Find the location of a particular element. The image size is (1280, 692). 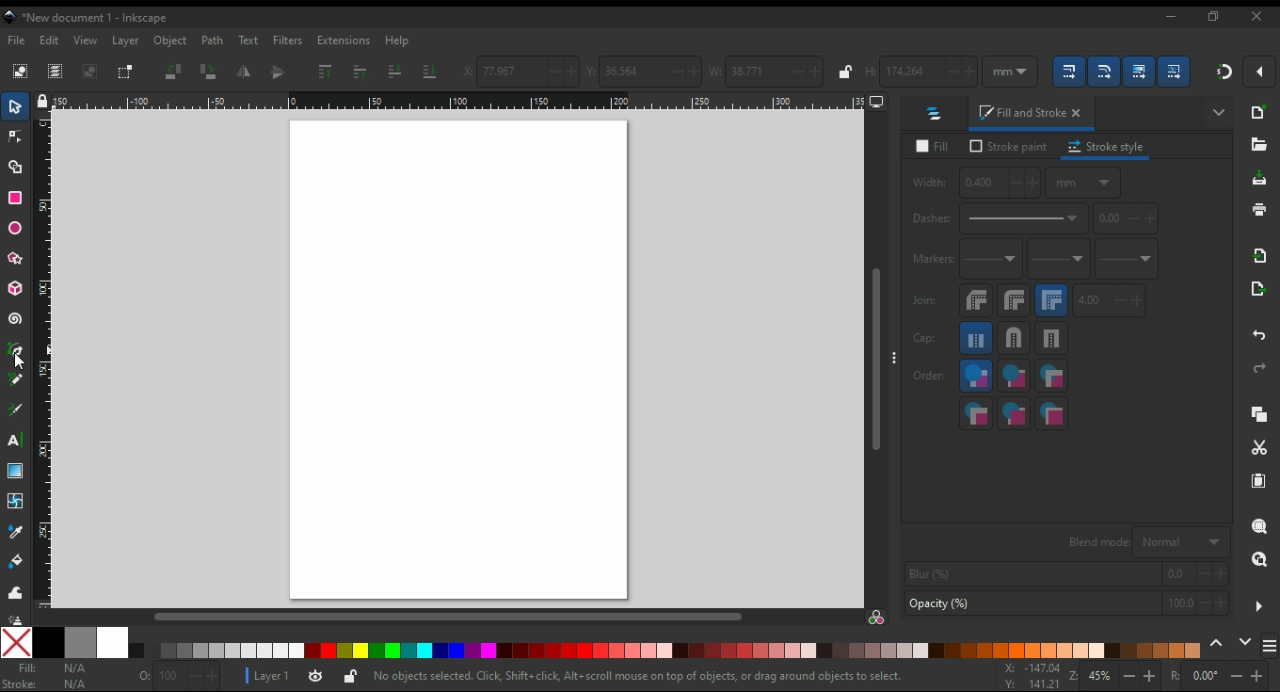

zoom drawing is located at coordinates (1258, 560).